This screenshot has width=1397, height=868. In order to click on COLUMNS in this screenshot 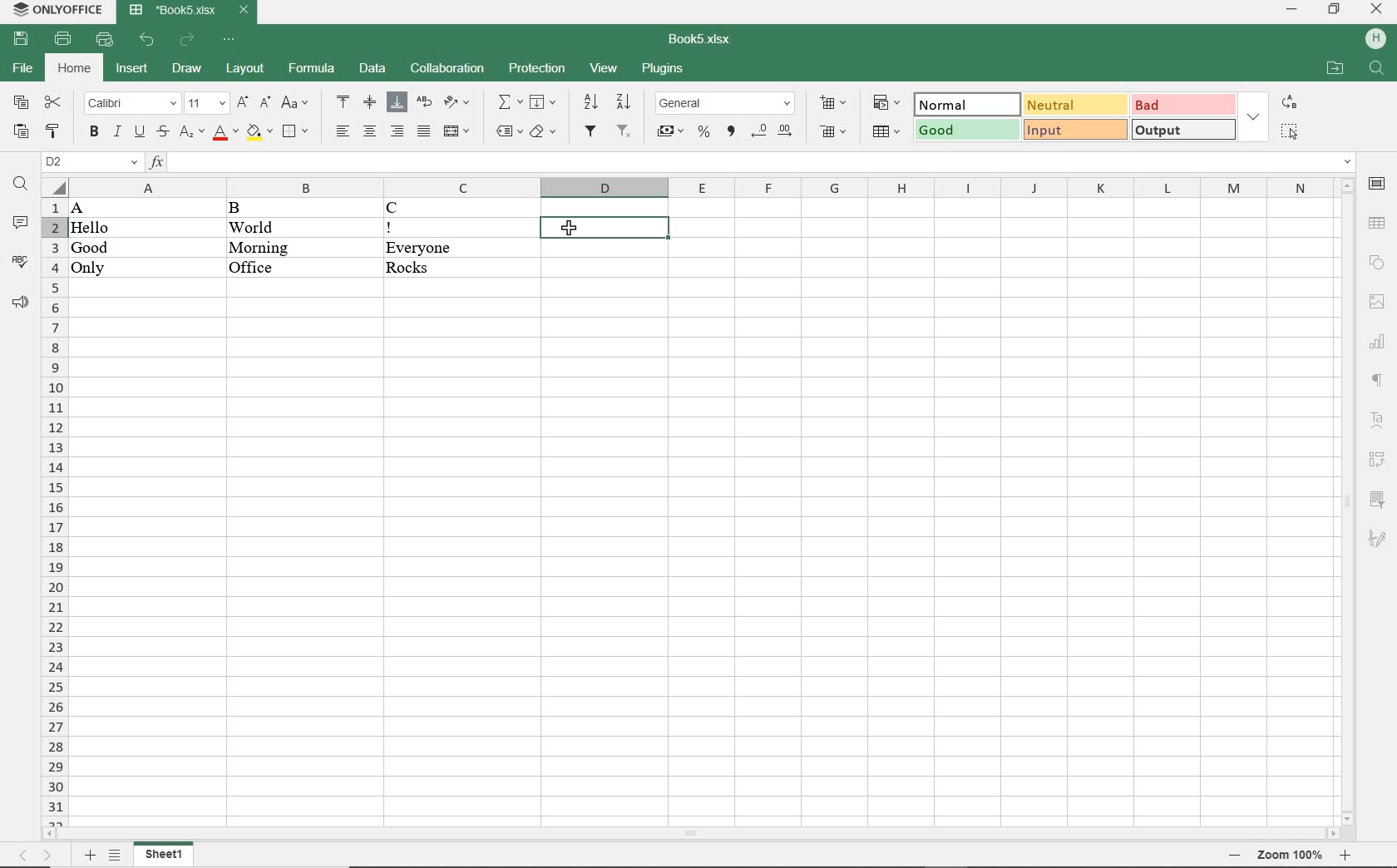, I will do `click(700, 187)`.